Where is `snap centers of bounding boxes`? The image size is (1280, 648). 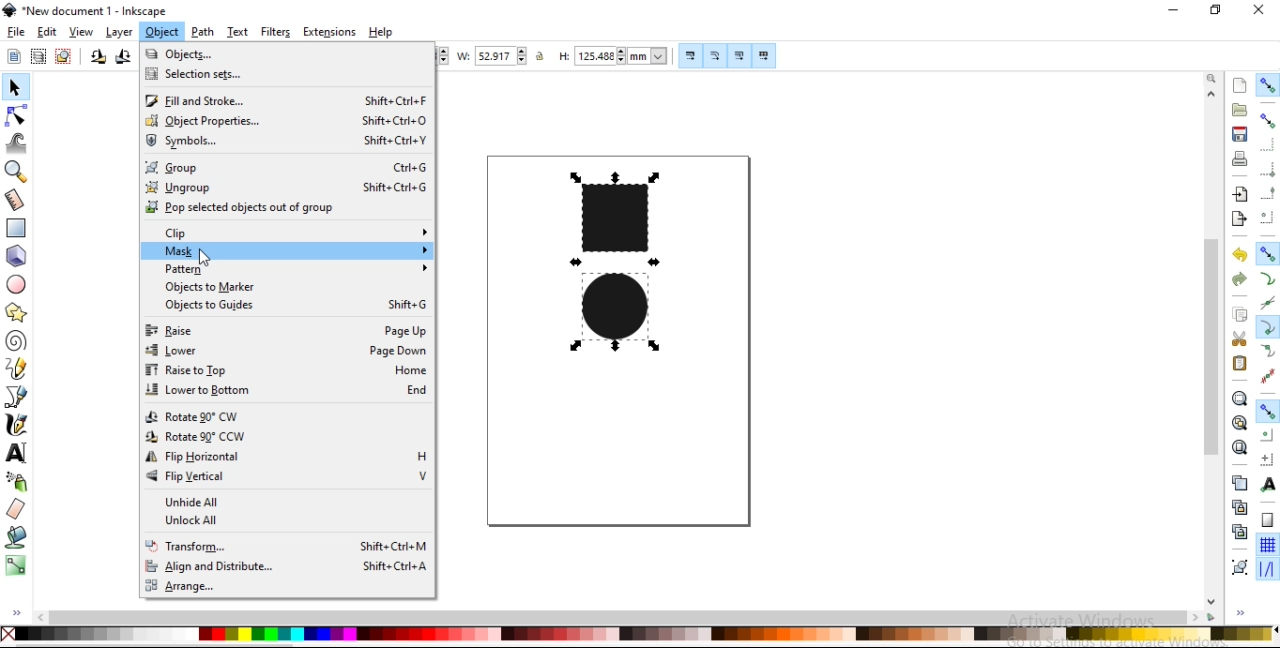 snap centers of bounding boxes is located at coordinates (1265, 216).